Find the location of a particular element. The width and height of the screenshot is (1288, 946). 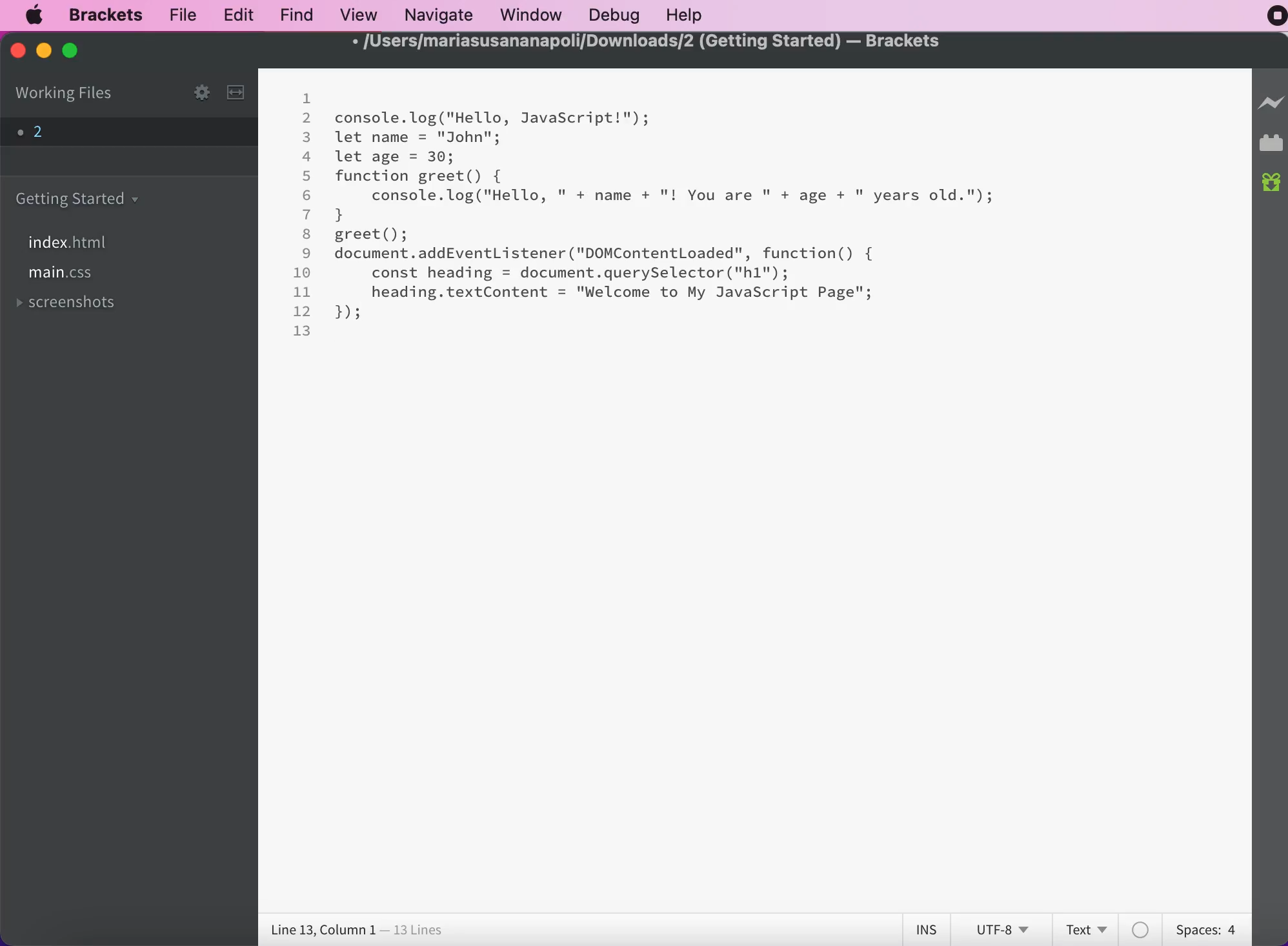

index.html is located at coordinates (72, 241).